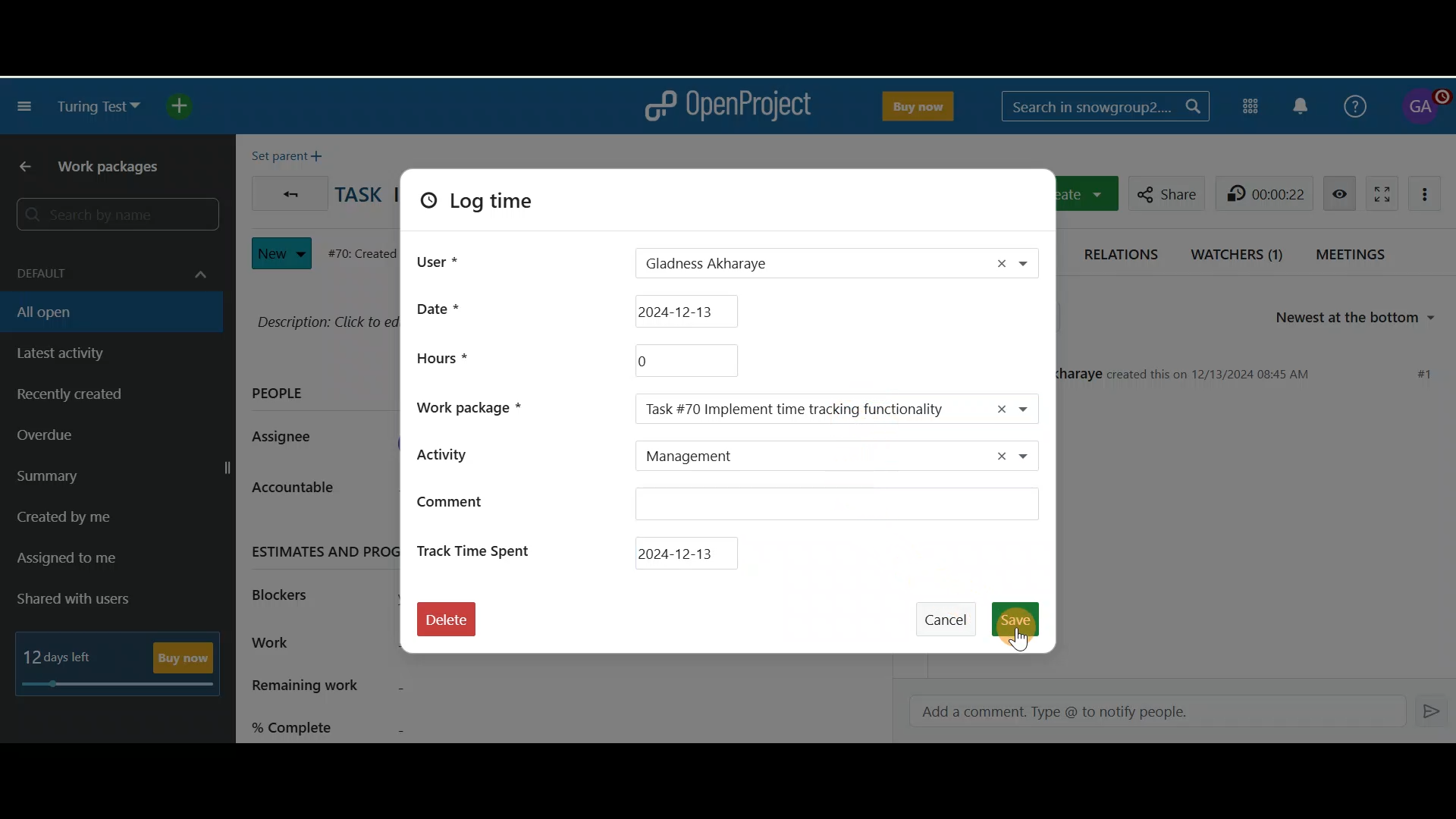  I want to click on Work package drop down, so click(1033, 408).